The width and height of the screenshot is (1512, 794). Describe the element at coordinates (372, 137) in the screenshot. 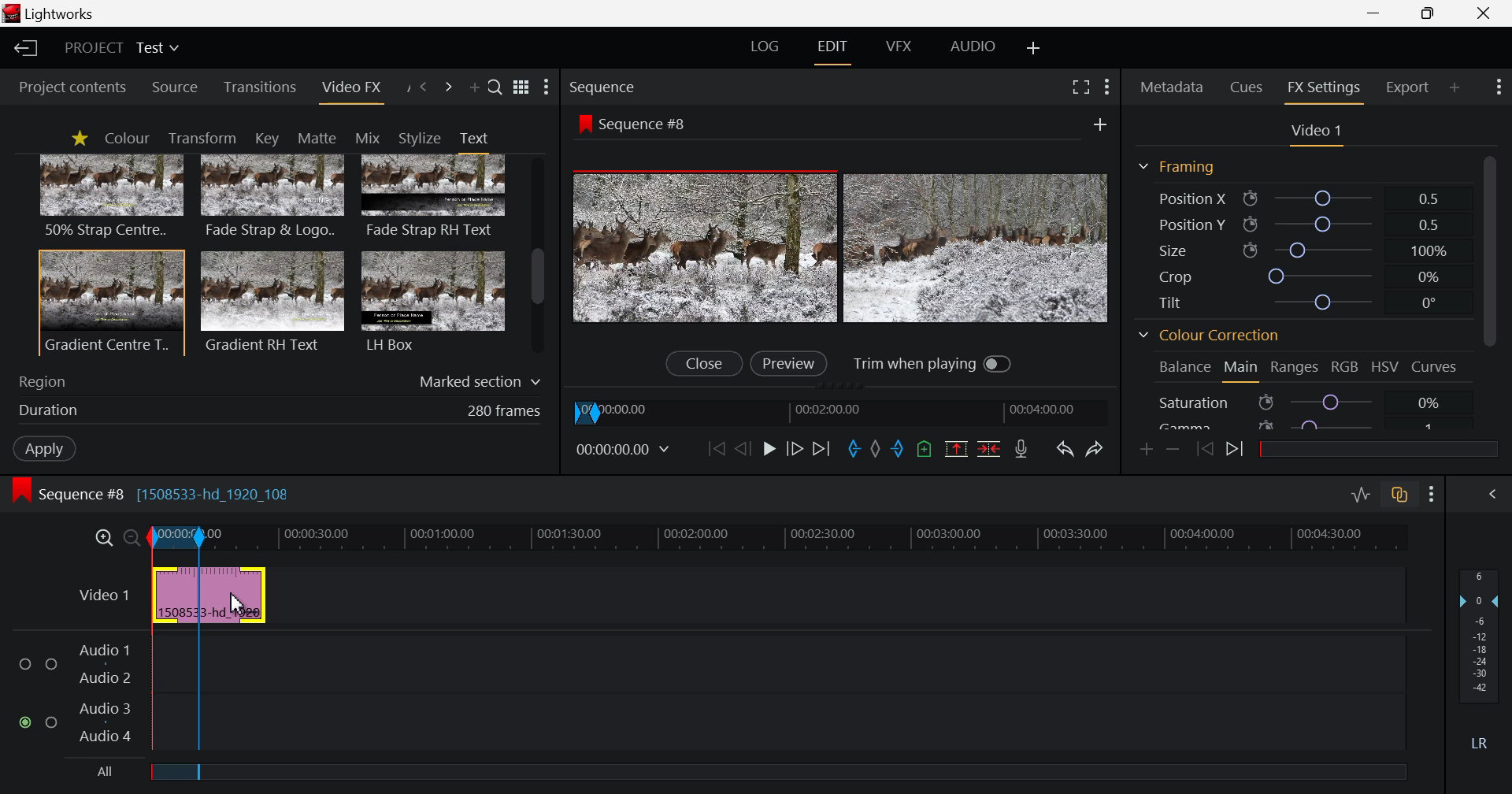

I see `Mix` at that location.